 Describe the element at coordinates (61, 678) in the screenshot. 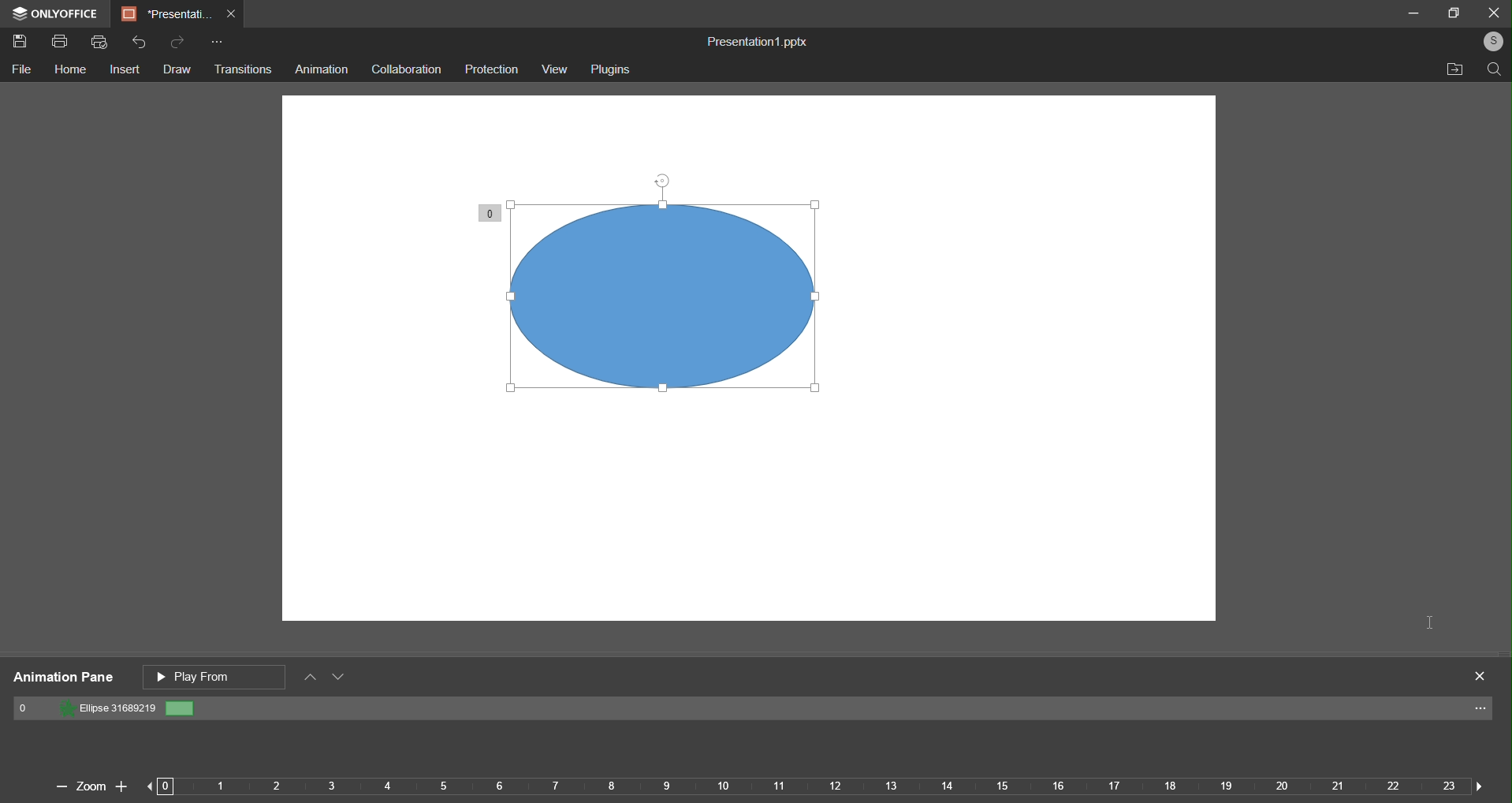

I see `animation pane` at that location.